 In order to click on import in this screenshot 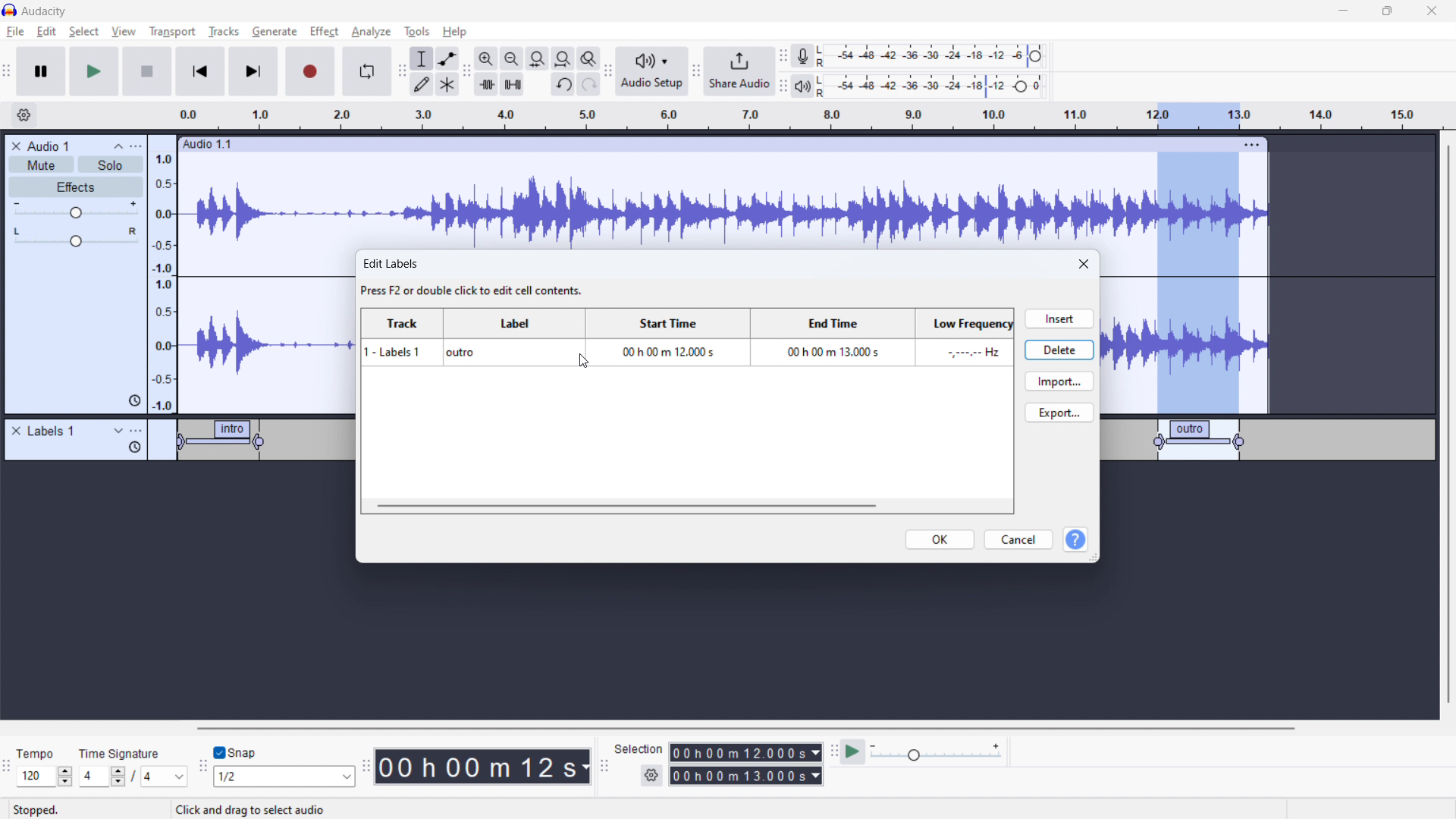, I will do `click(1059, 381)`.